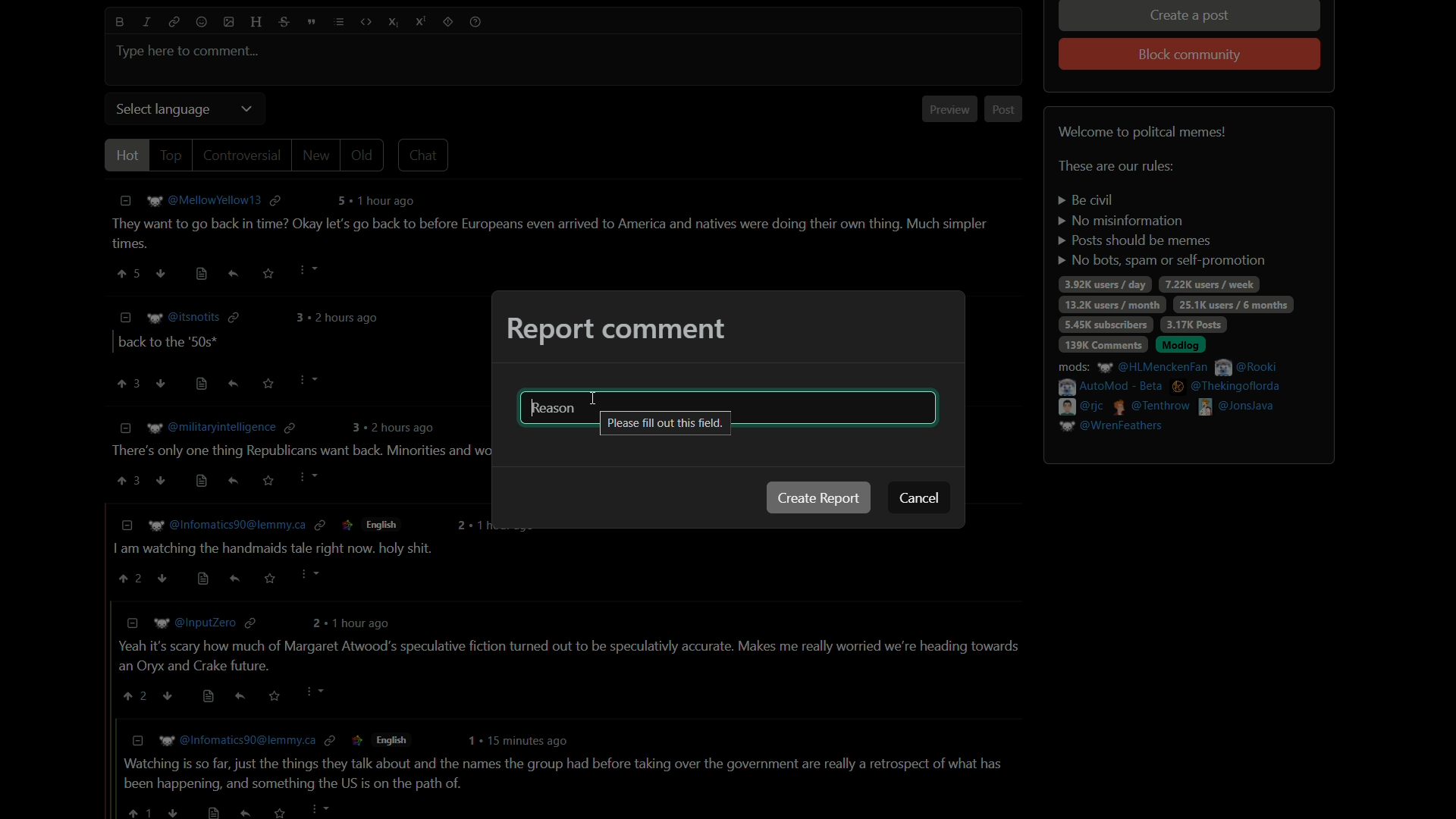 The image size is (1456, 819). What do you see at coordinates (556, 409) in the screenshot?
I see `Reason` at bounding box center [556, 409].